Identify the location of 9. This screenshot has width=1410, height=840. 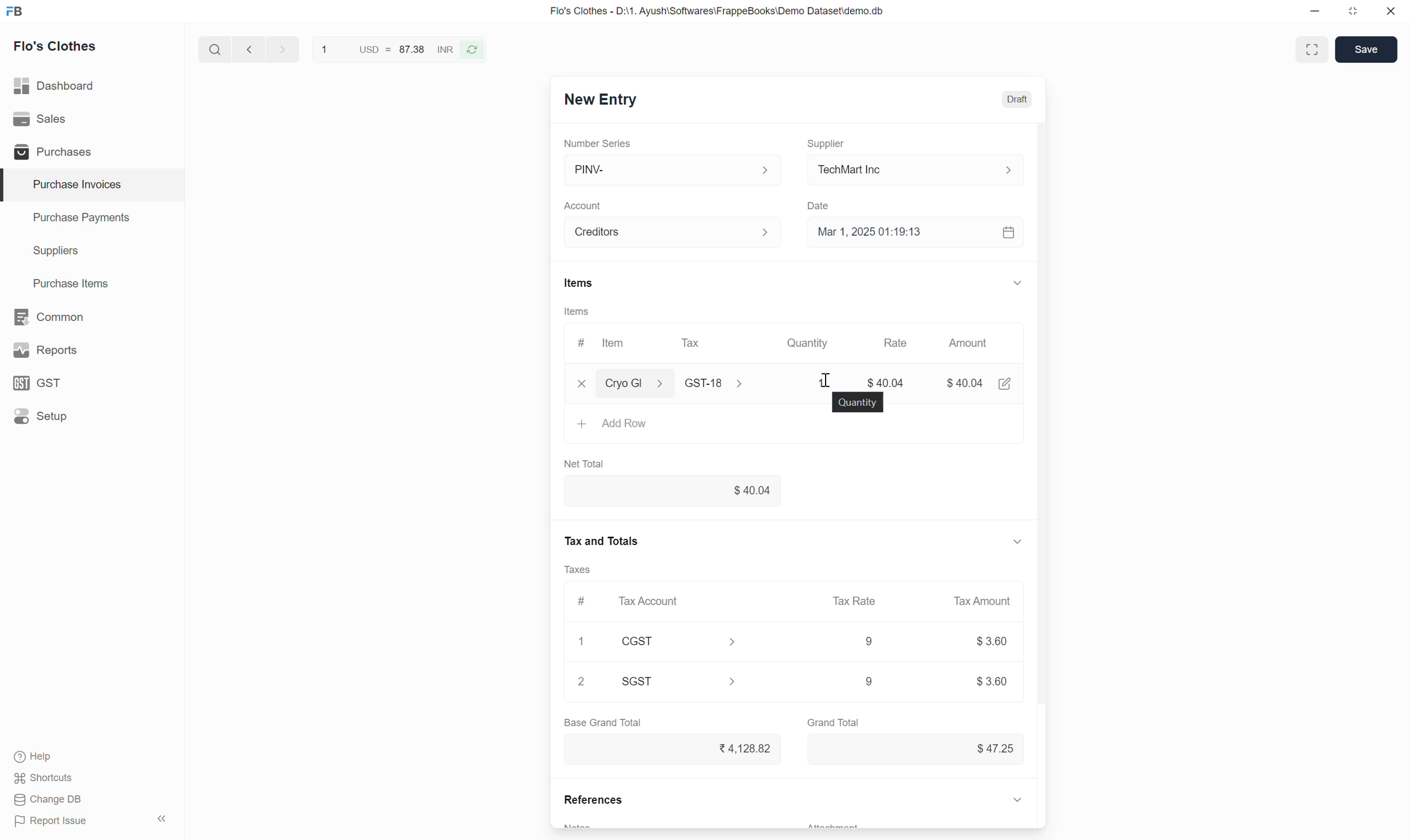
(852, 682).